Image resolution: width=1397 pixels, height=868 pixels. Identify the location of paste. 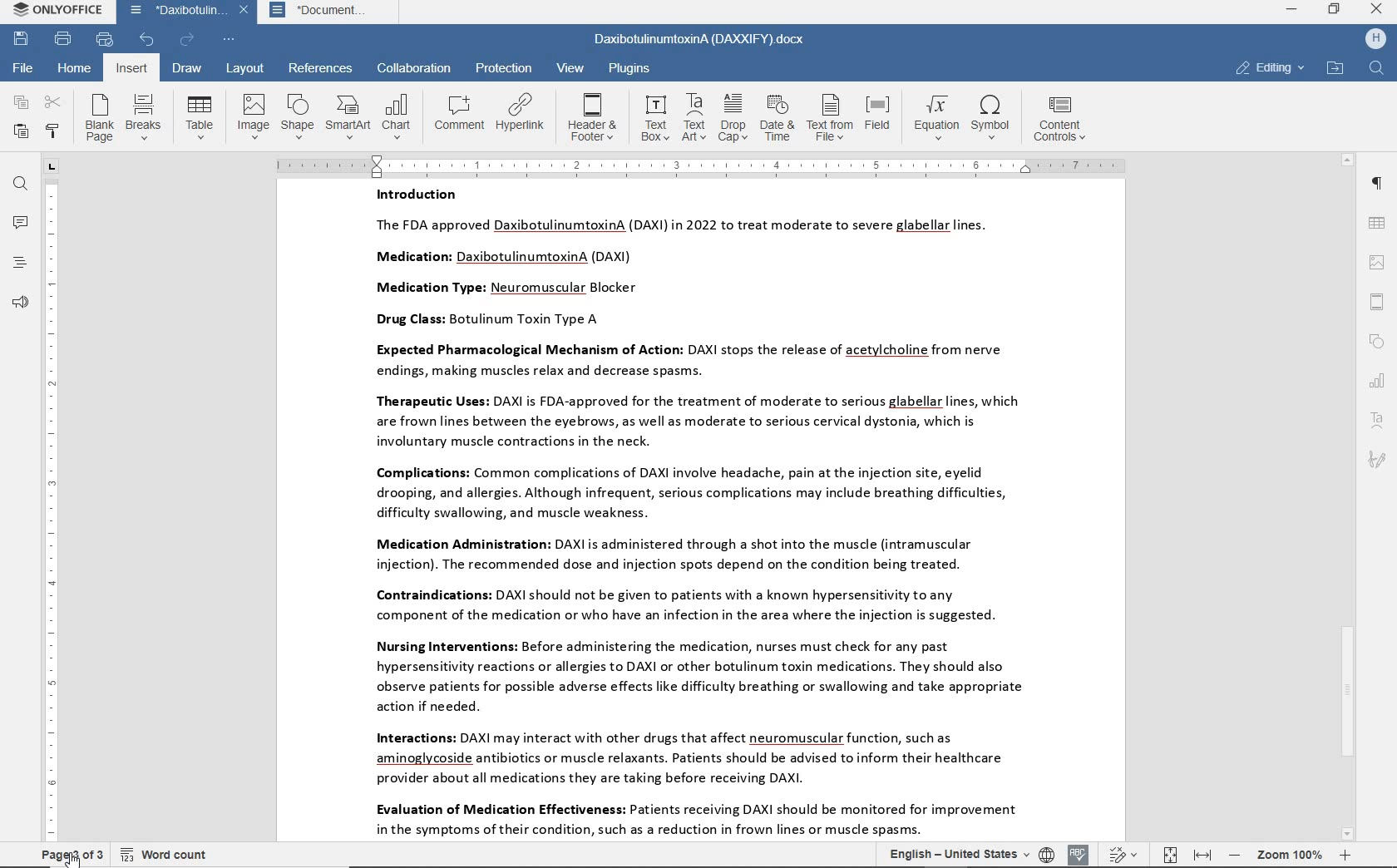
(21, 131).